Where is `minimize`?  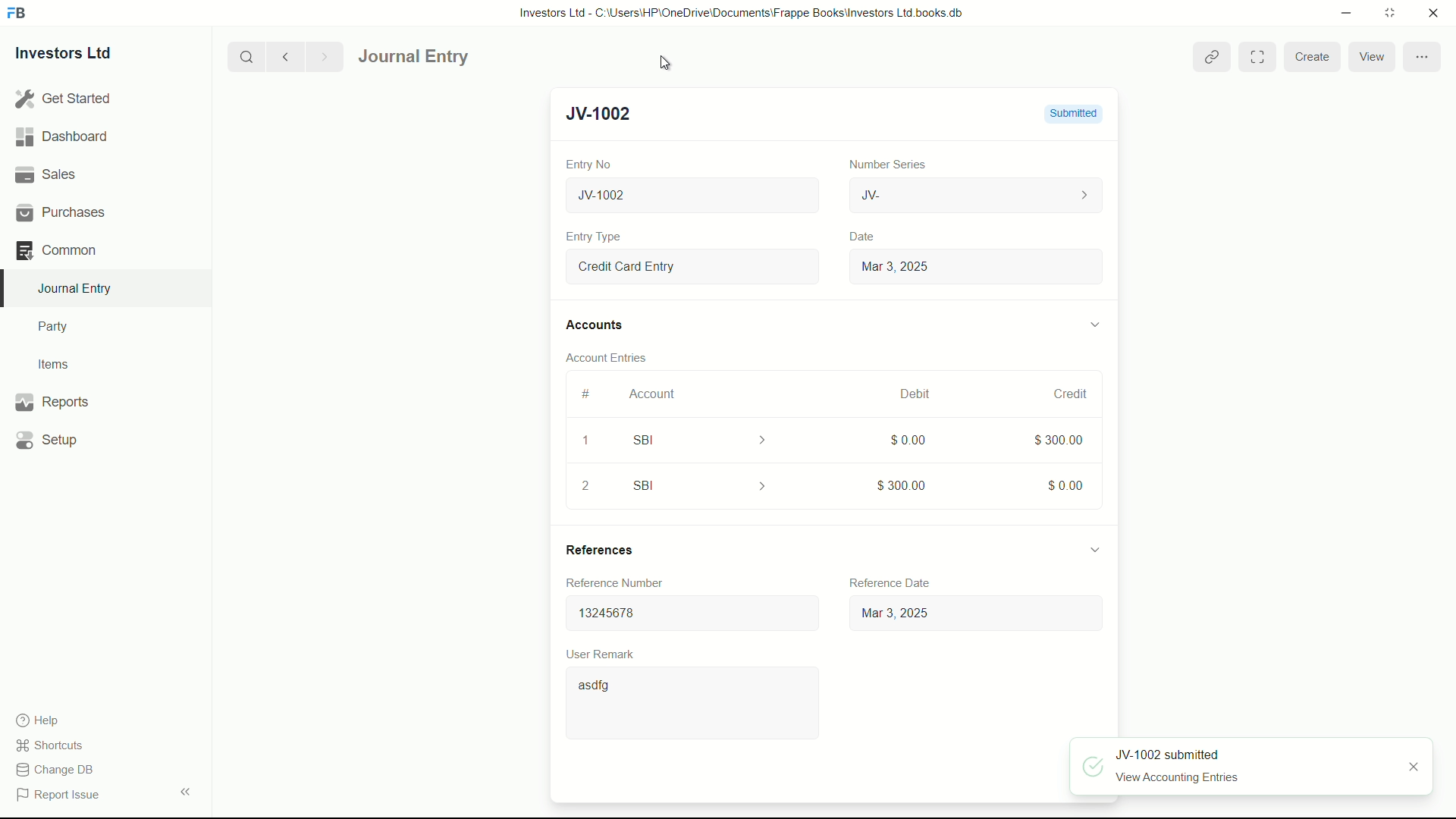
minimize is located at coordinates (1342, 11).